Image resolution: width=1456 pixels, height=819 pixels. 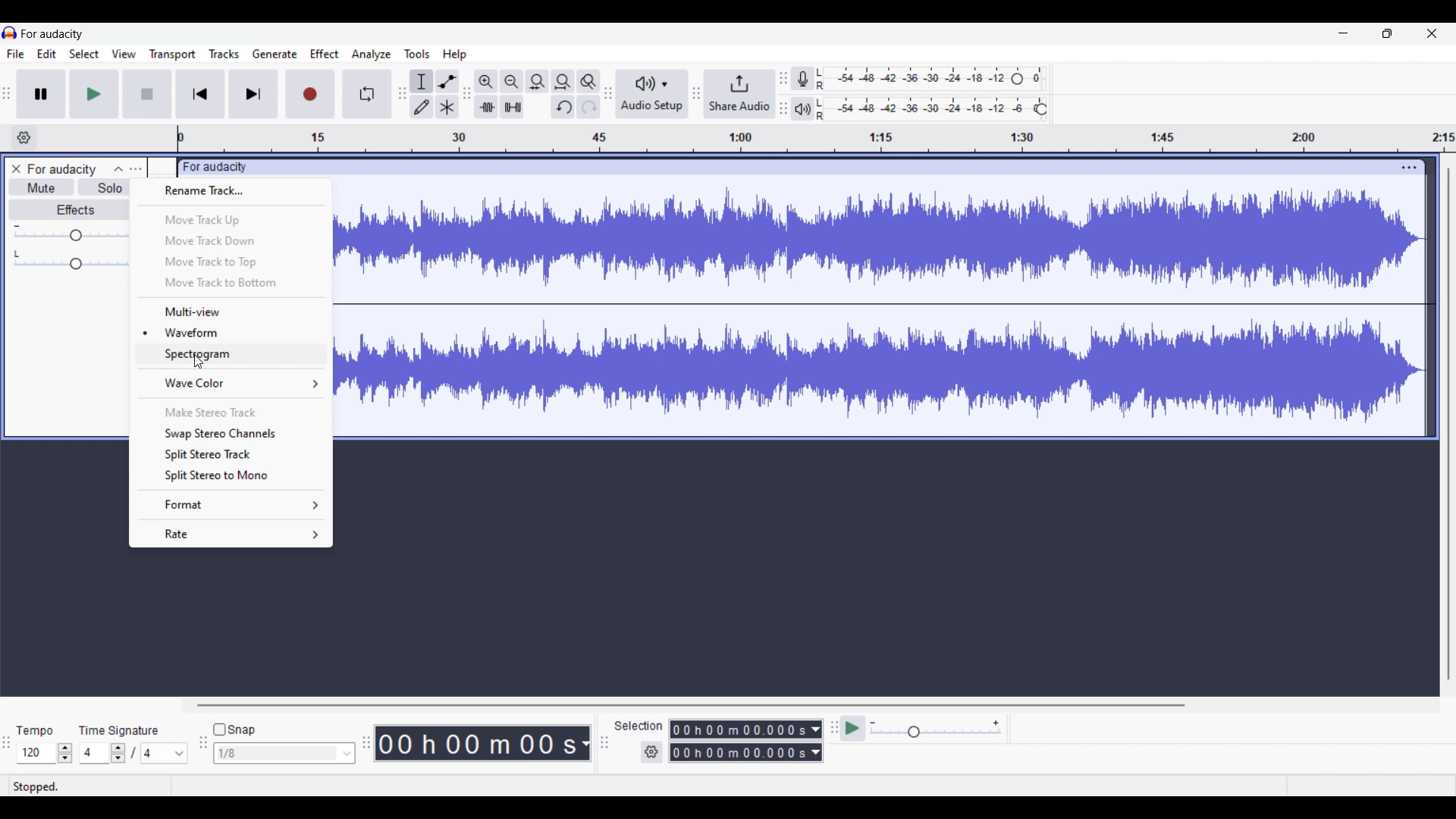 I want to click on Indicates time signature settings , so click(x=119, y=731).